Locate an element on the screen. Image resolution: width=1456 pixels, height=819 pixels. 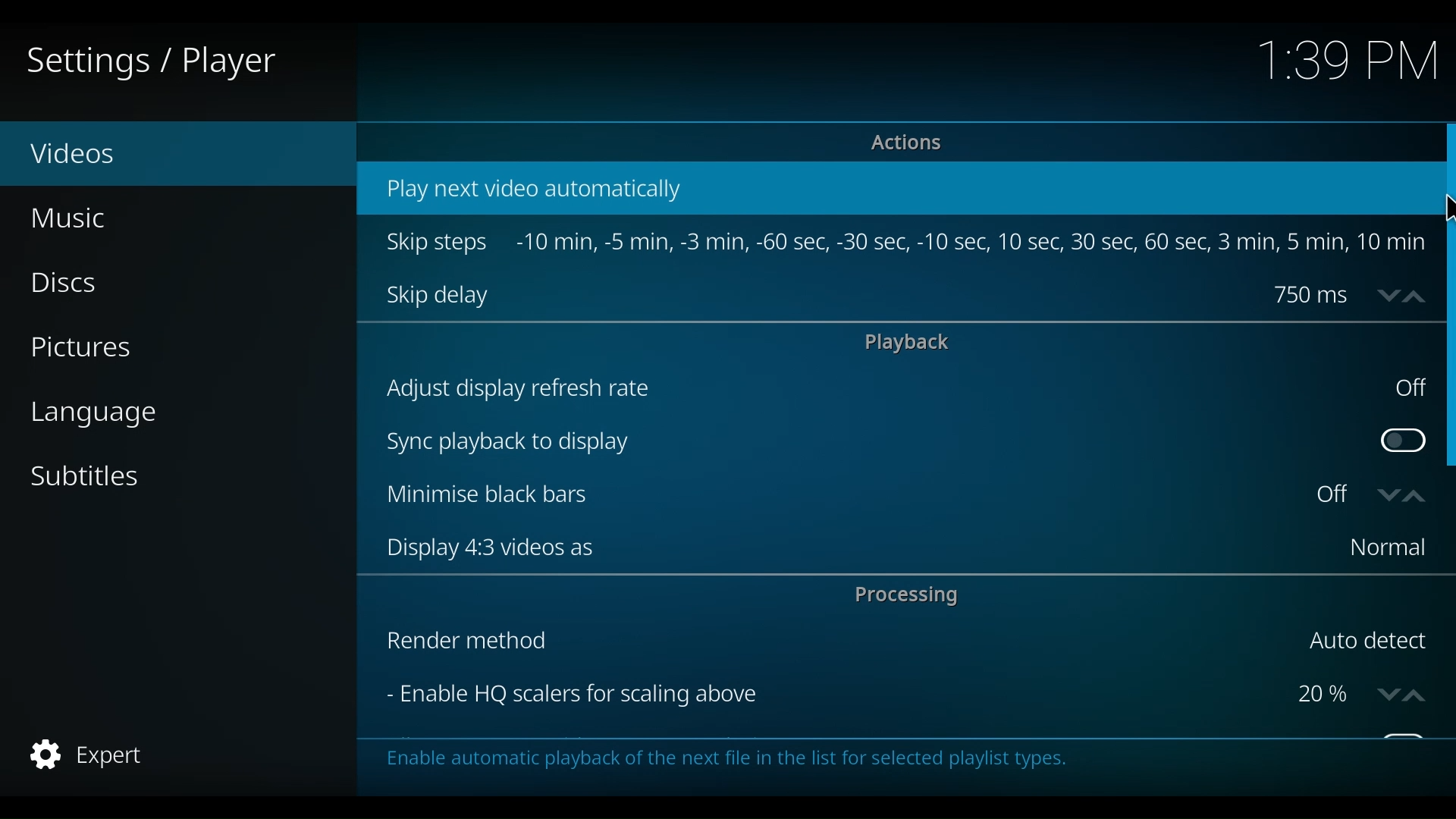
language is located at coordinates (93, 415).